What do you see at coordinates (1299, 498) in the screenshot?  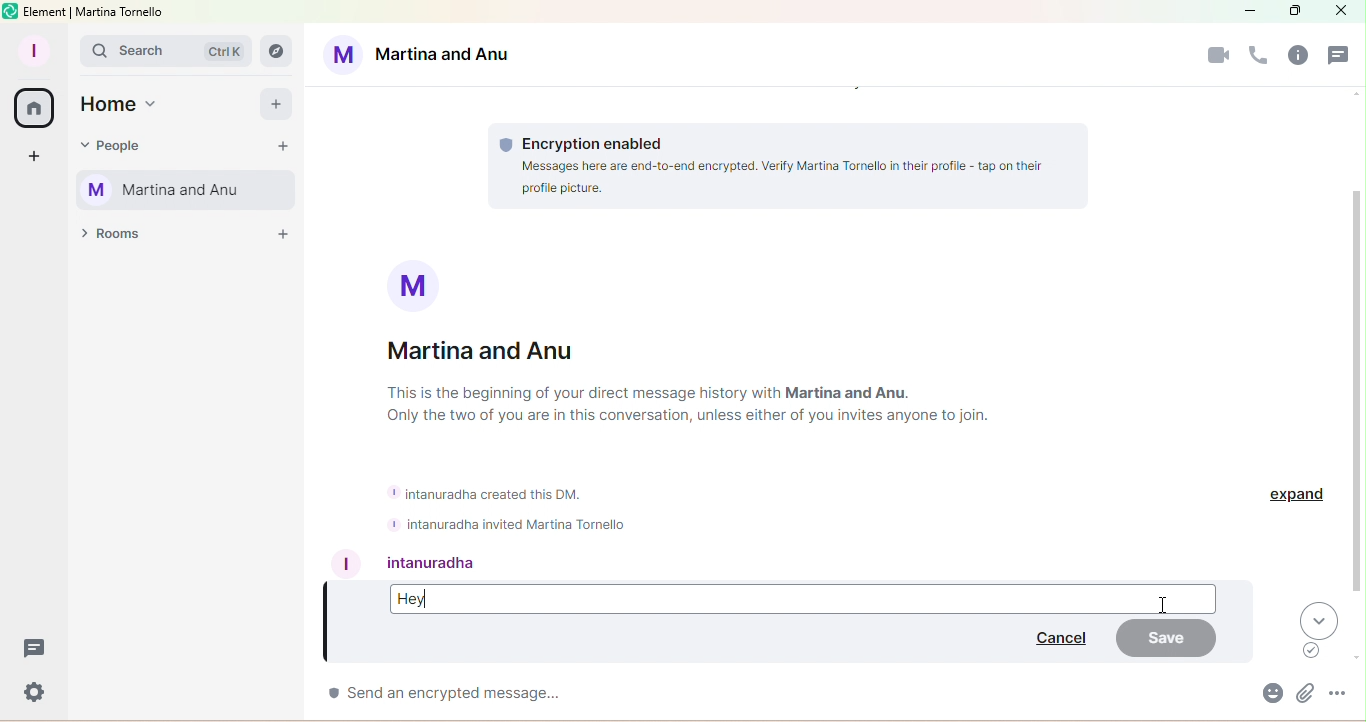 I see `Expand` at bounding box center [1299, 498].